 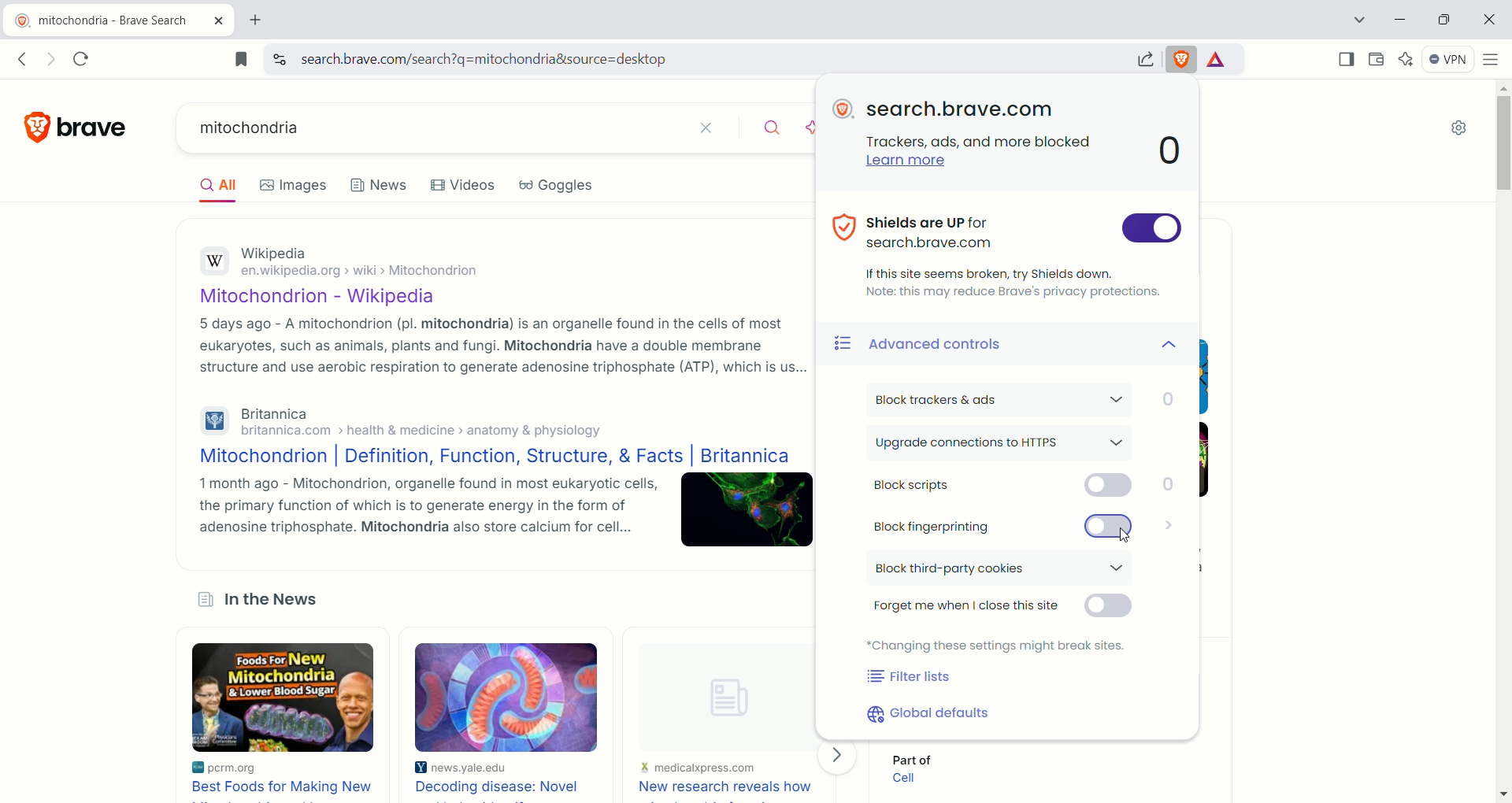 I want to click on reload this page, so click(x=83, y=58).